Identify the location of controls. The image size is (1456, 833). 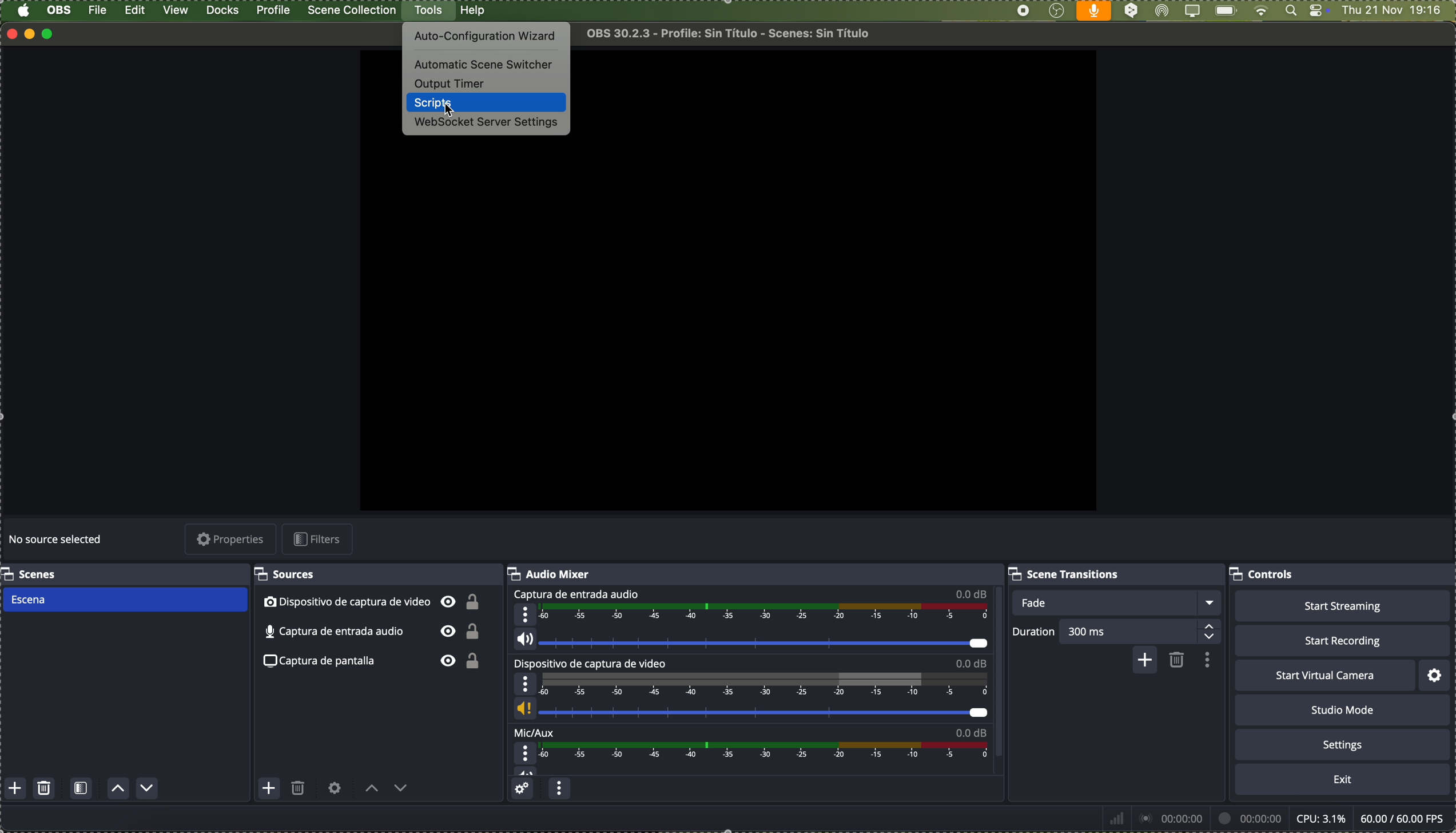
(1319, 11).